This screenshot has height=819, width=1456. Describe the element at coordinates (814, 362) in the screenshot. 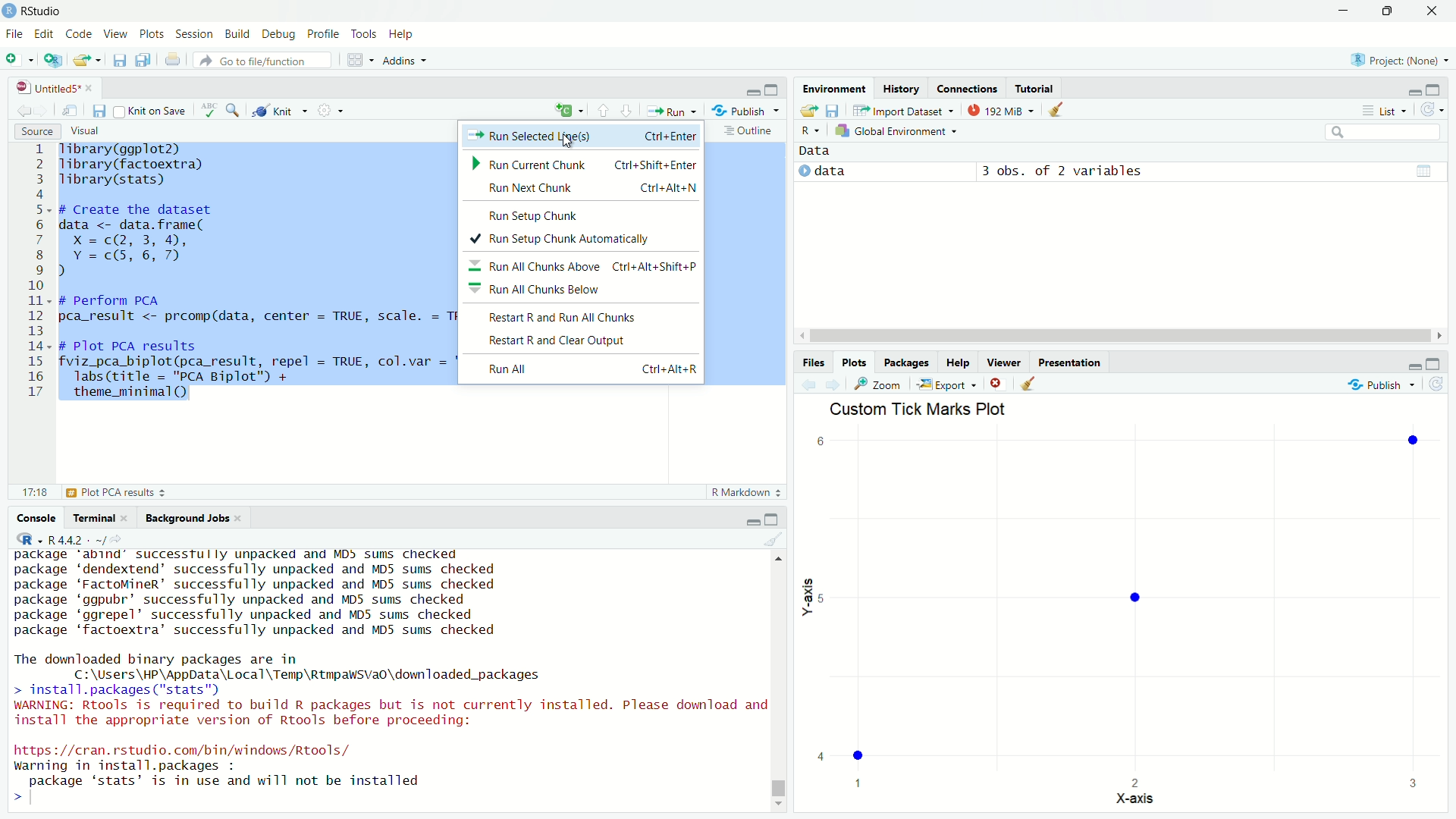

I see `Files` at that location.